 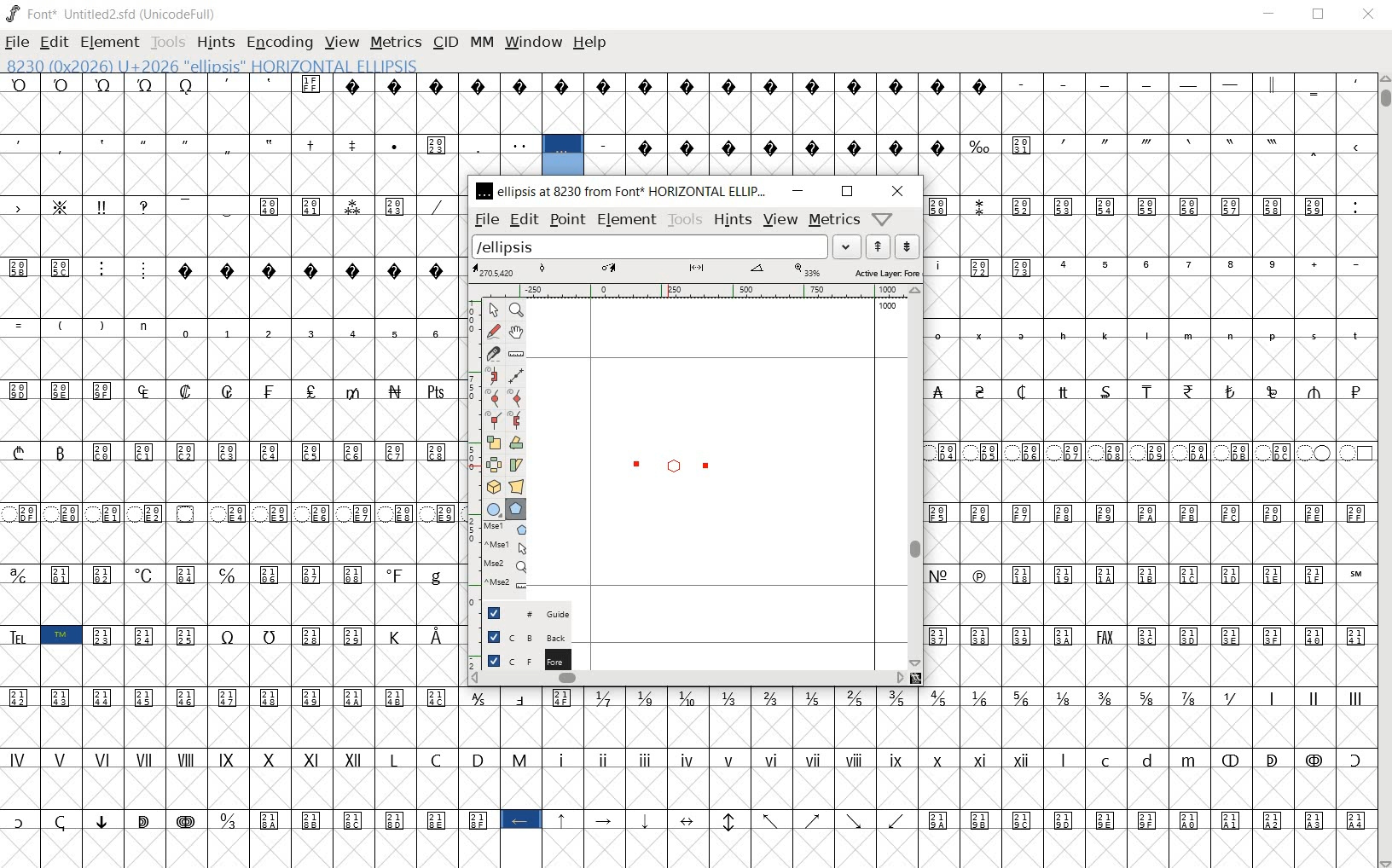 I want to click on CID, so click(x=445, y=43).